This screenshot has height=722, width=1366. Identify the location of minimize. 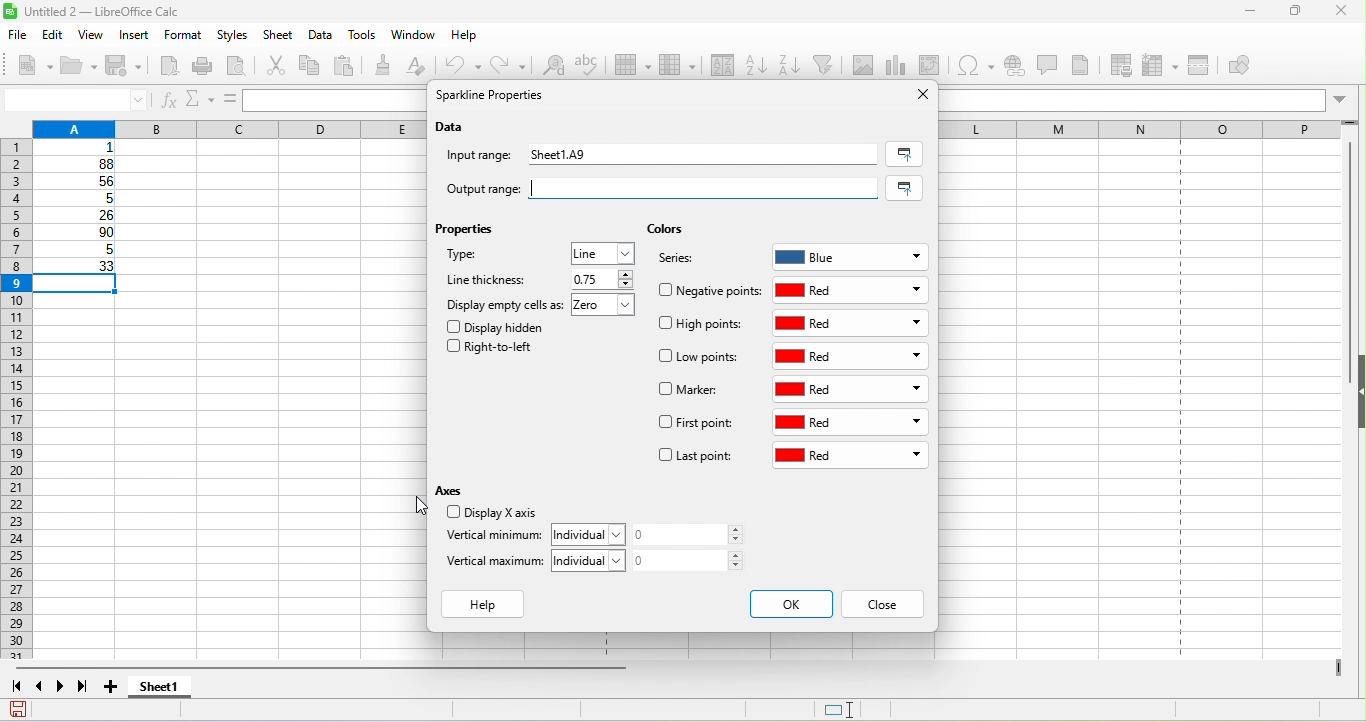
(1240, 14).